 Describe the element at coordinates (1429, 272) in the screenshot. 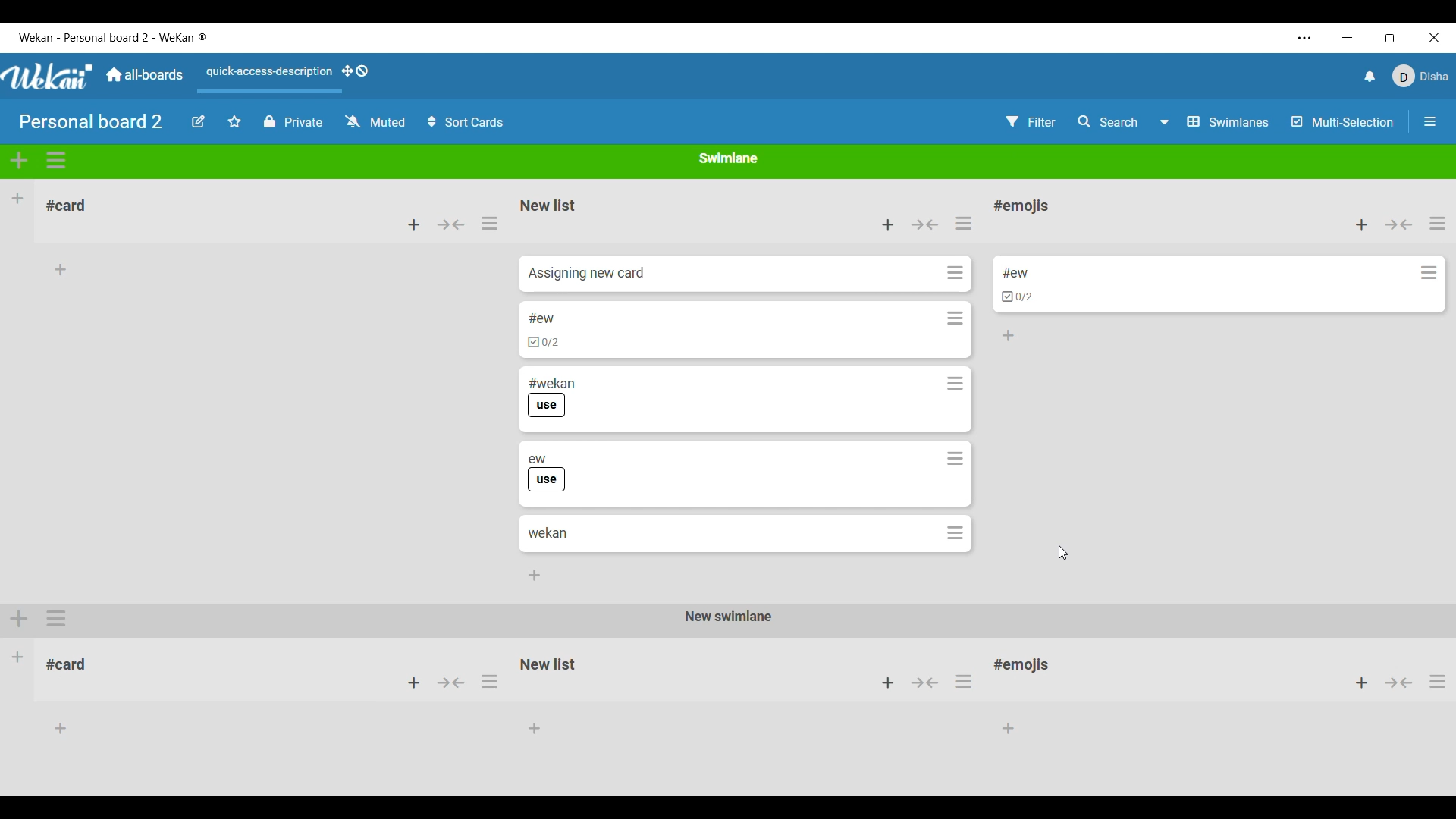

I see `Card actions` at that location.